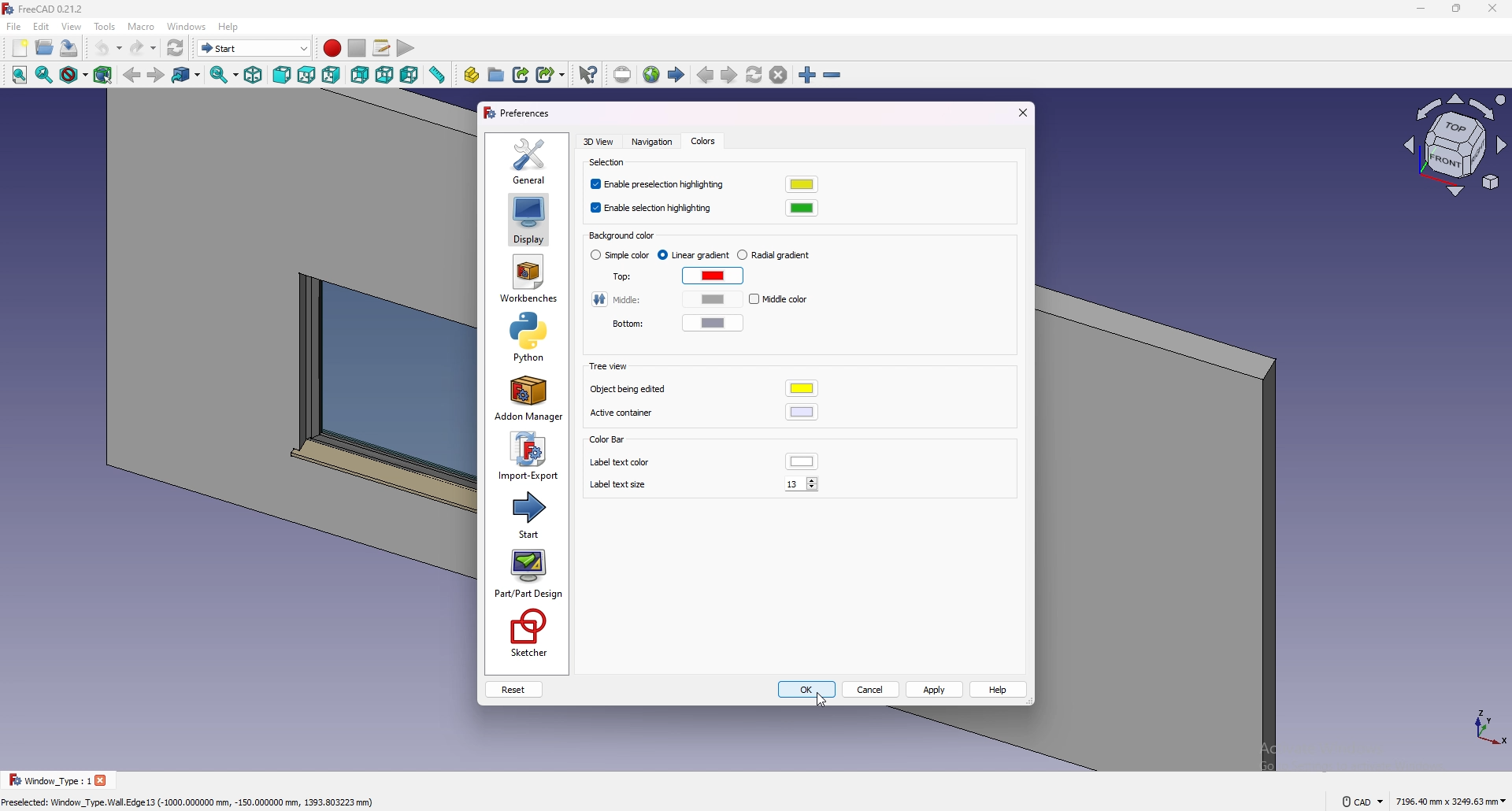  What do you see at coordinates (438, 75) in the screenshot?
I see `measure distance` at bounding box center [438, 75].